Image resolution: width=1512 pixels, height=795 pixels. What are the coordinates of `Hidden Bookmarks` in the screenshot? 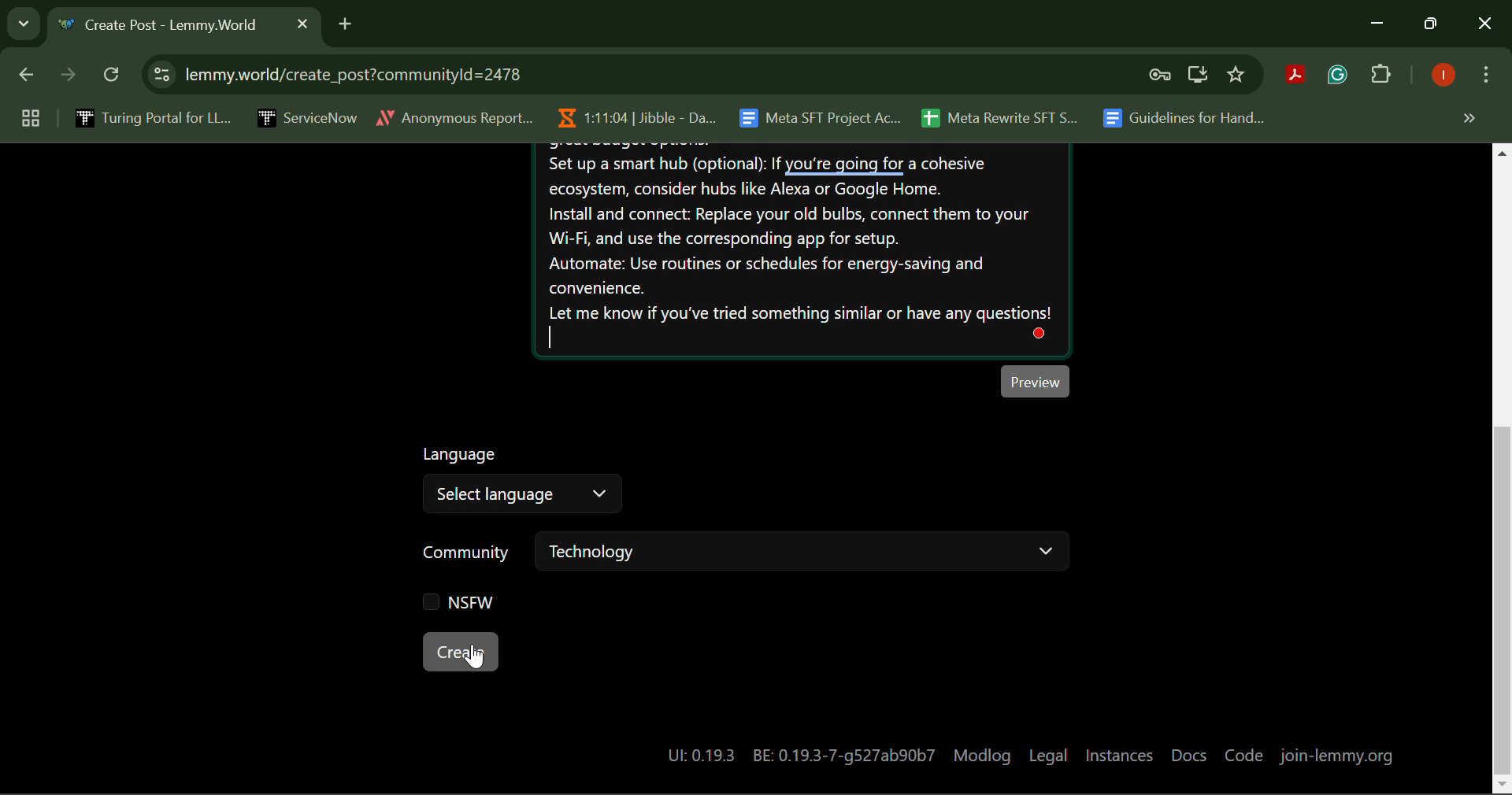 It's located at (1468, 117).